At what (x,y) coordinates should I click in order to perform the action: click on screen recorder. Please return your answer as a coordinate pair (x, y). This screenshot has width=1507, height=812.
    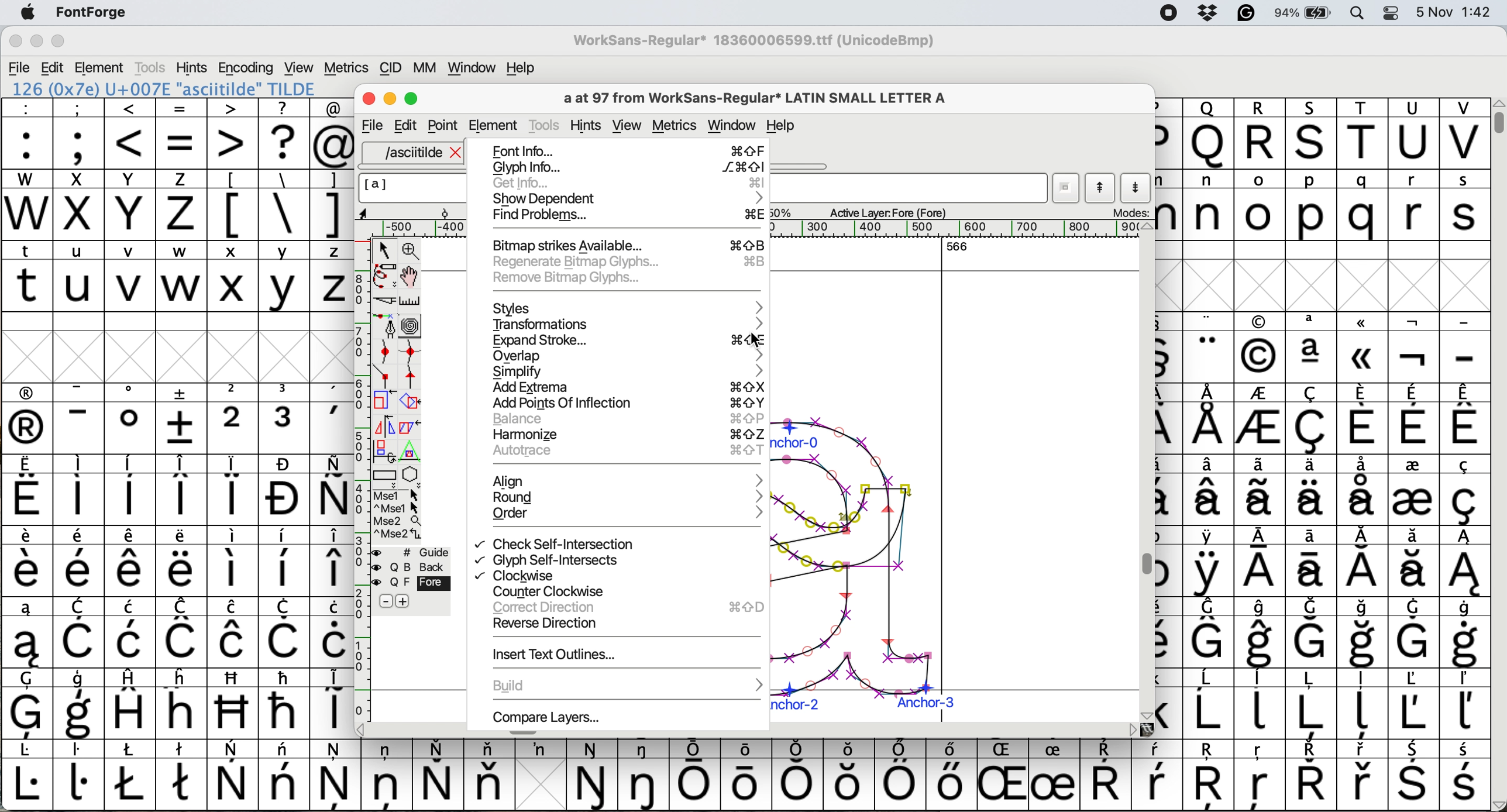
    Looking at the image, I should click on (1167, 14).